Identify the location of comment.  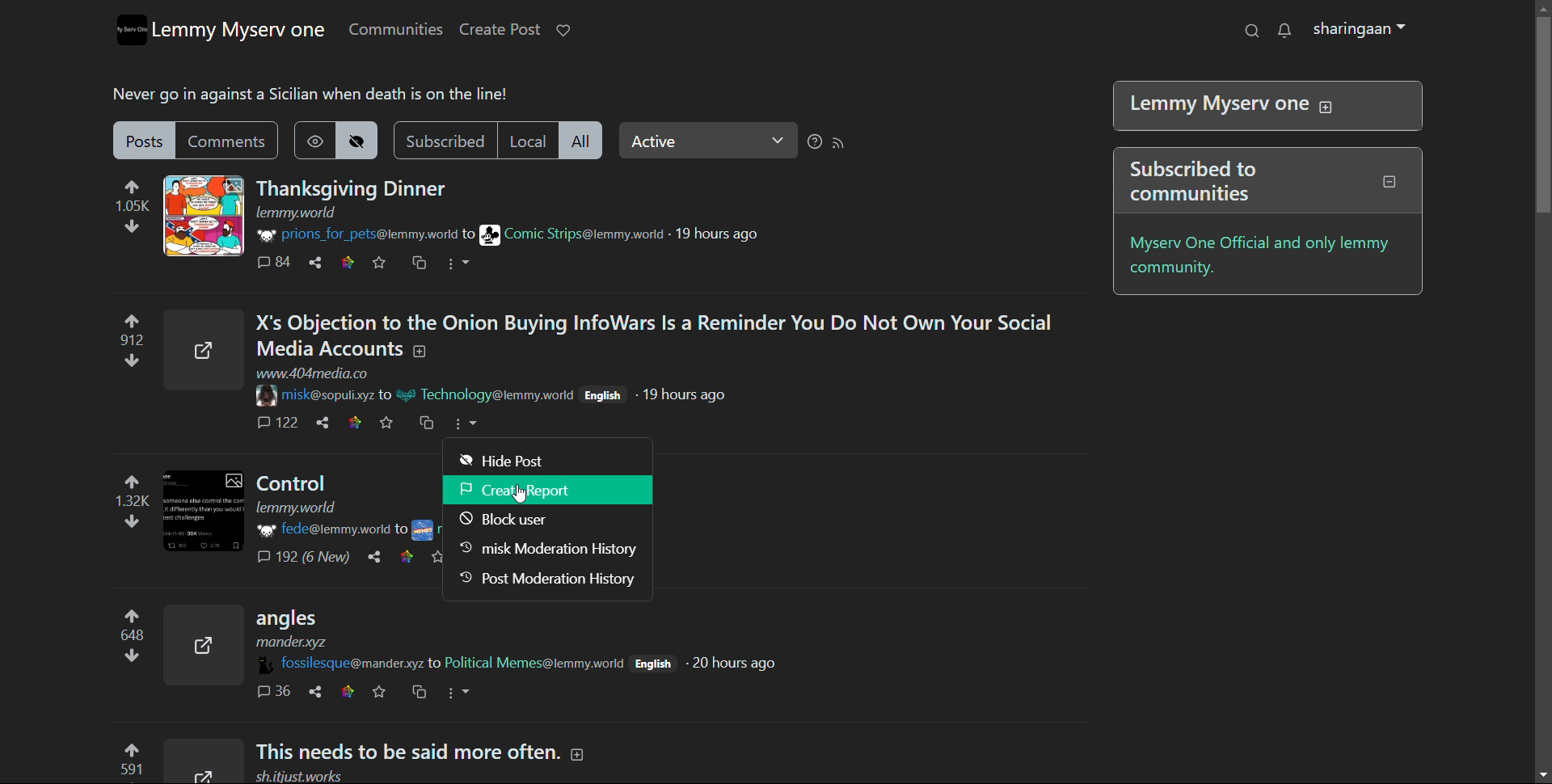
(272, 263).